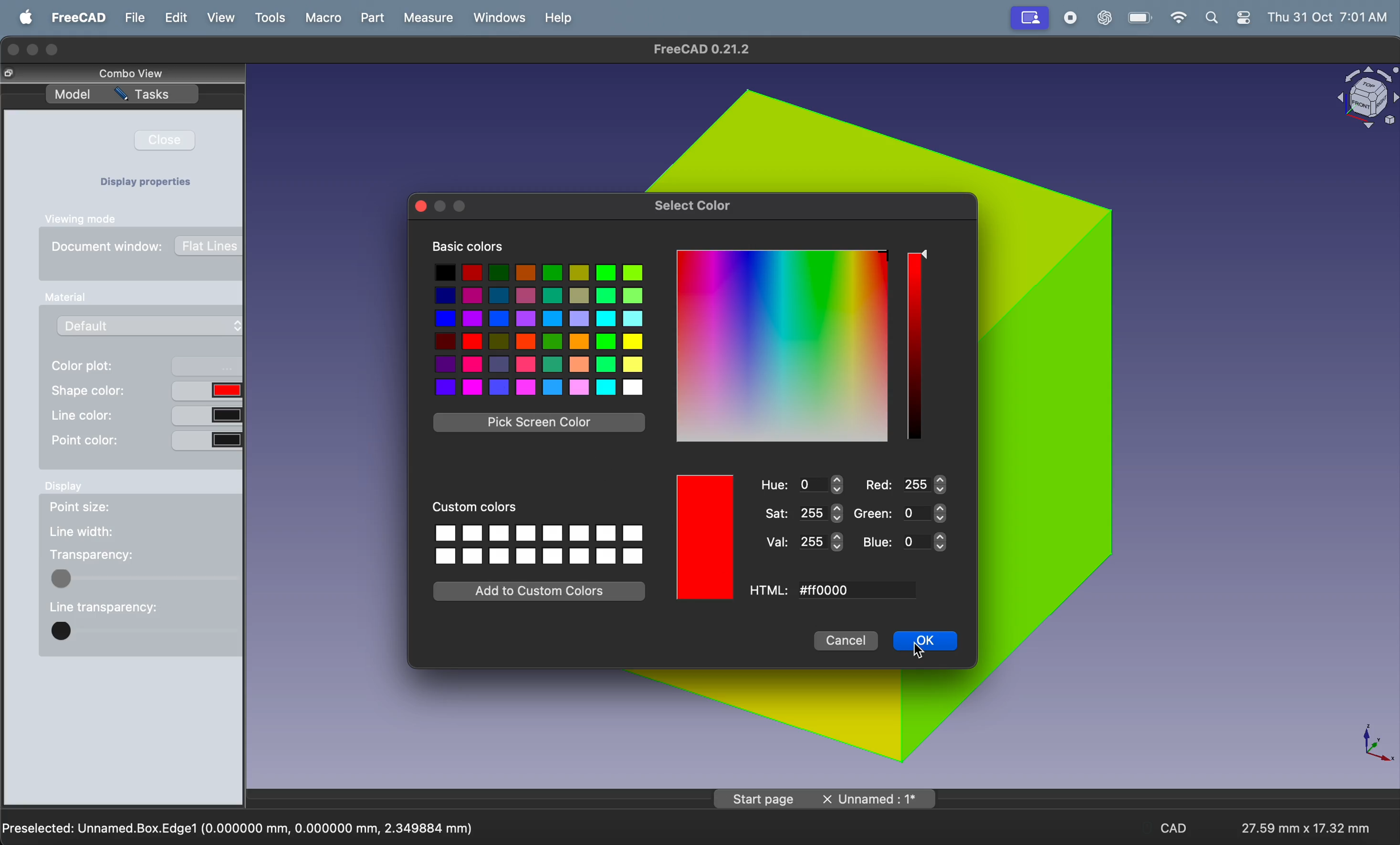 The image size is (1400, 845). I want to click on transparency, so click(91, 555).